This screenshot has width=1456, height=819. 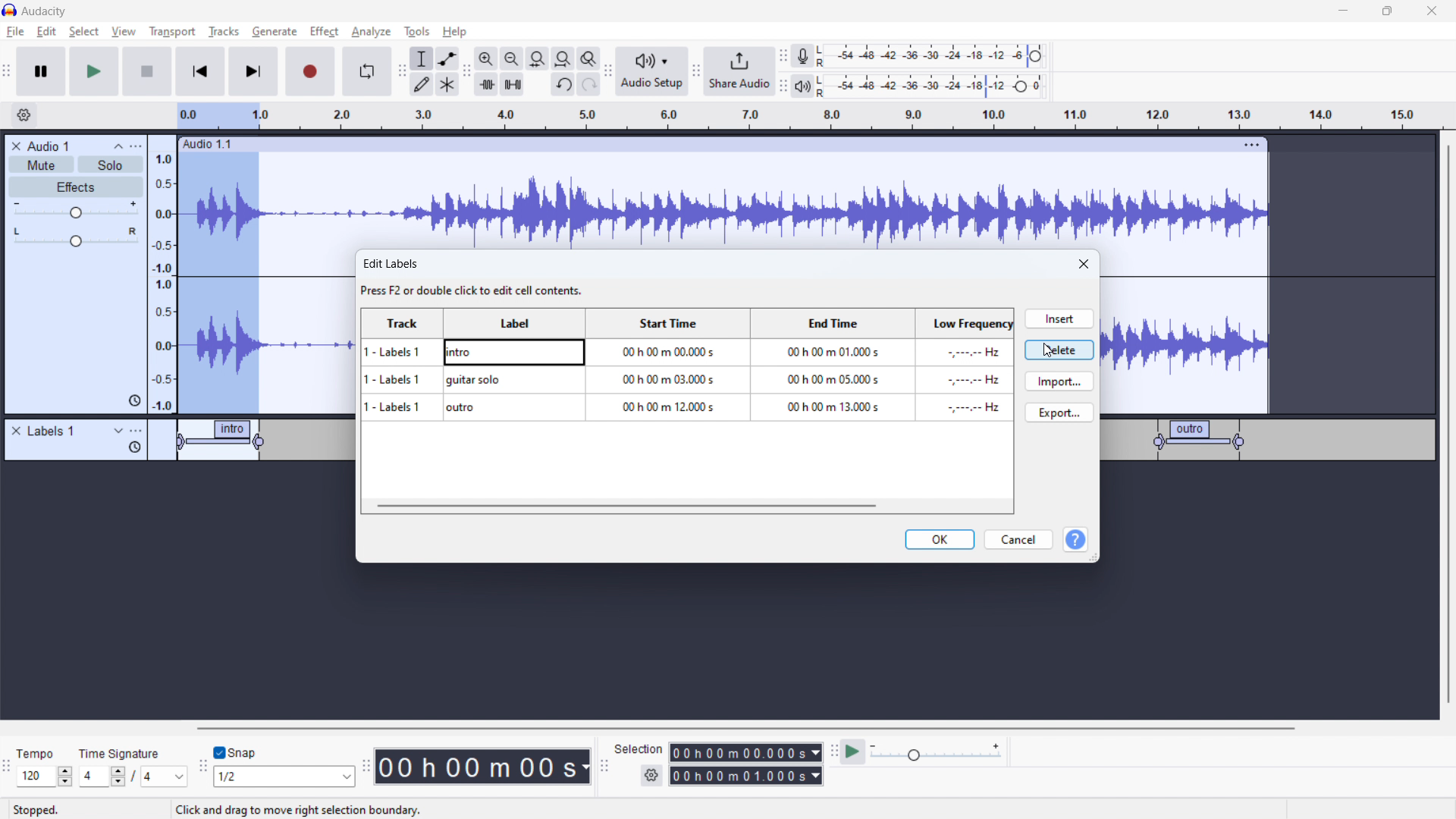 I want to click on share audio, so click(x=738, y=71).